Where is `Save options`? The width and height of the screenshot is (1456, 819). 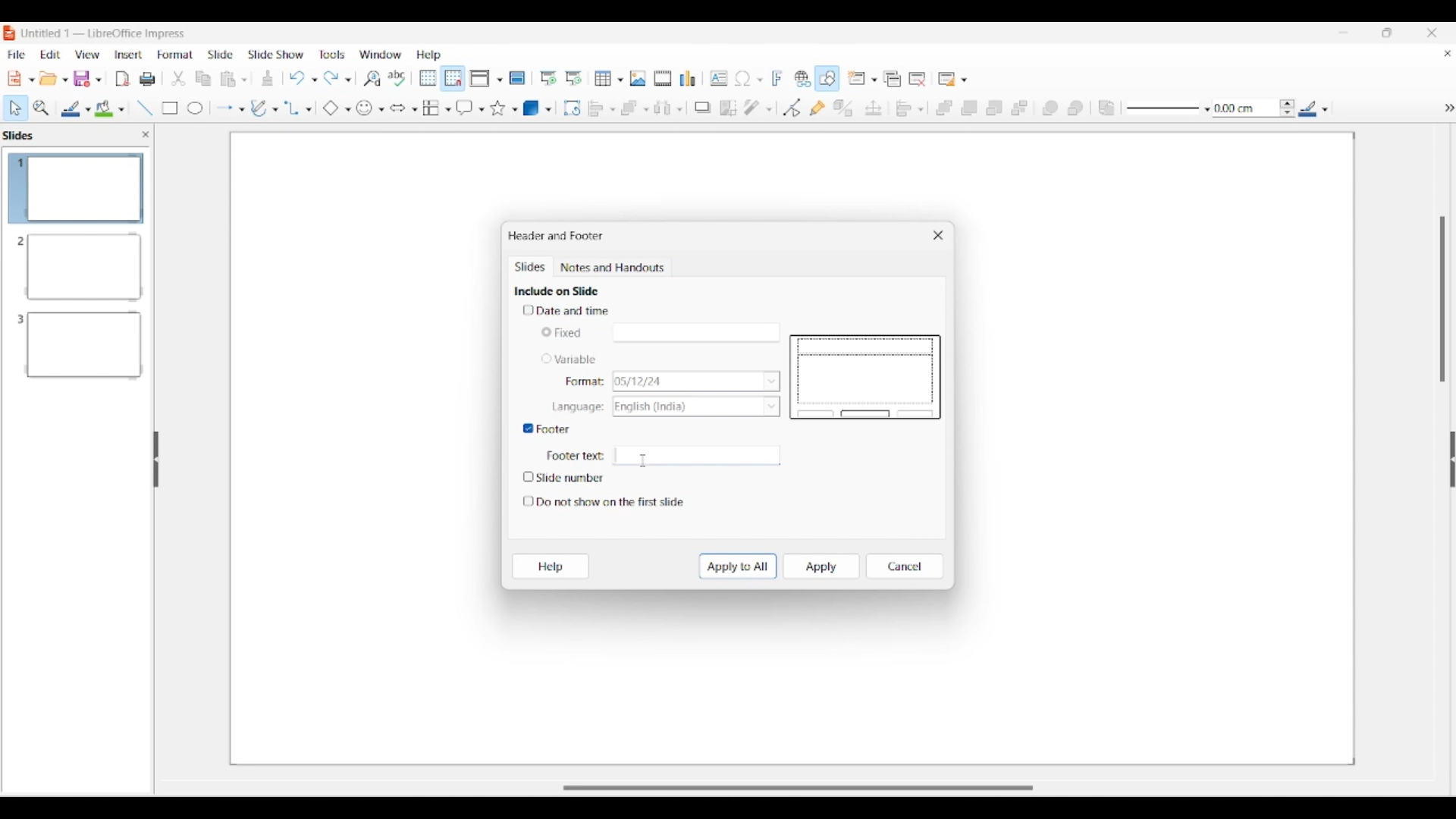 Save options is located at coordinates (88, 79).